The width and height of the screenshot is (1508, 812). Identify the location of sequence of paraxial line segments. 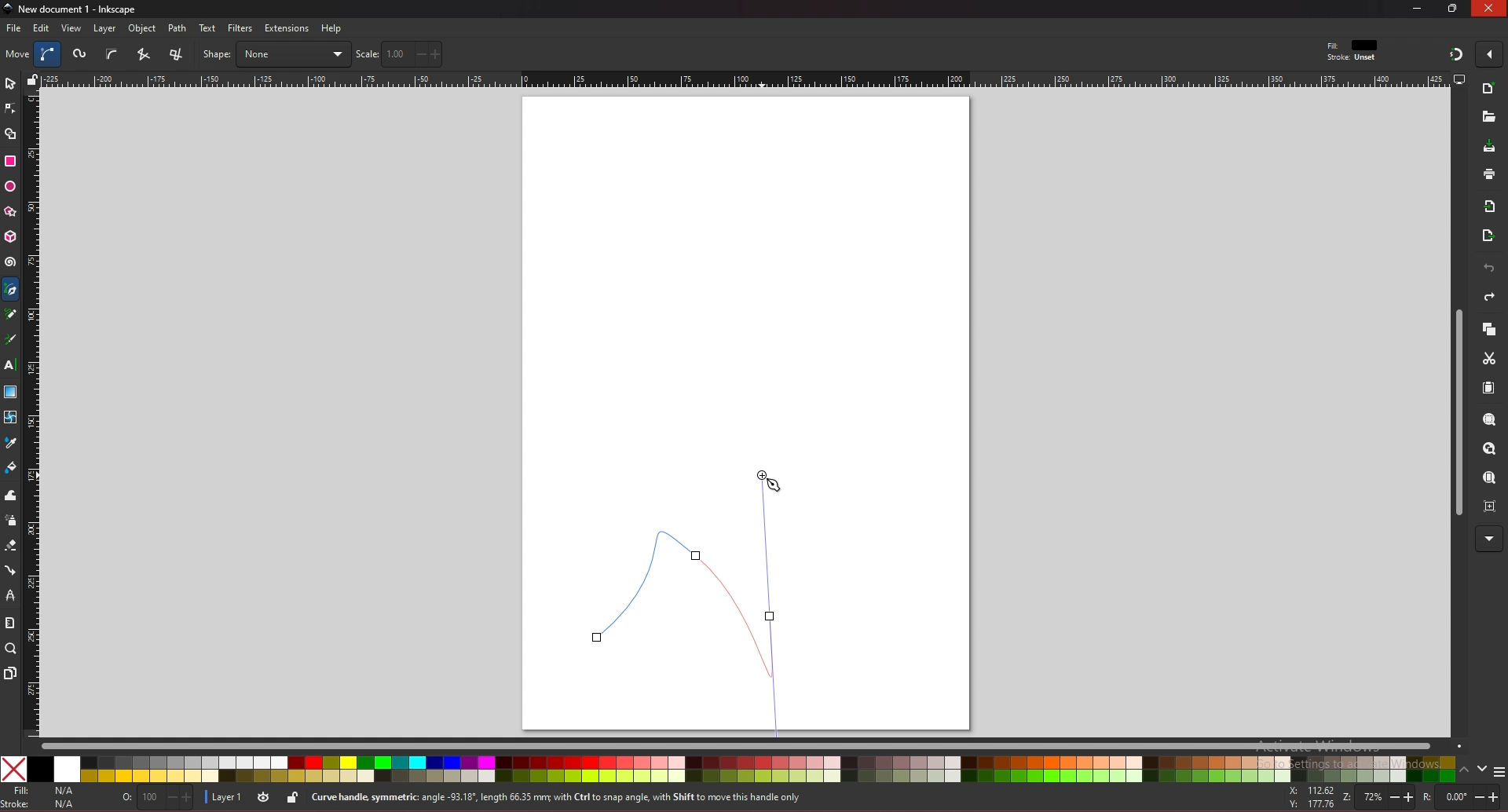
(178, 55).